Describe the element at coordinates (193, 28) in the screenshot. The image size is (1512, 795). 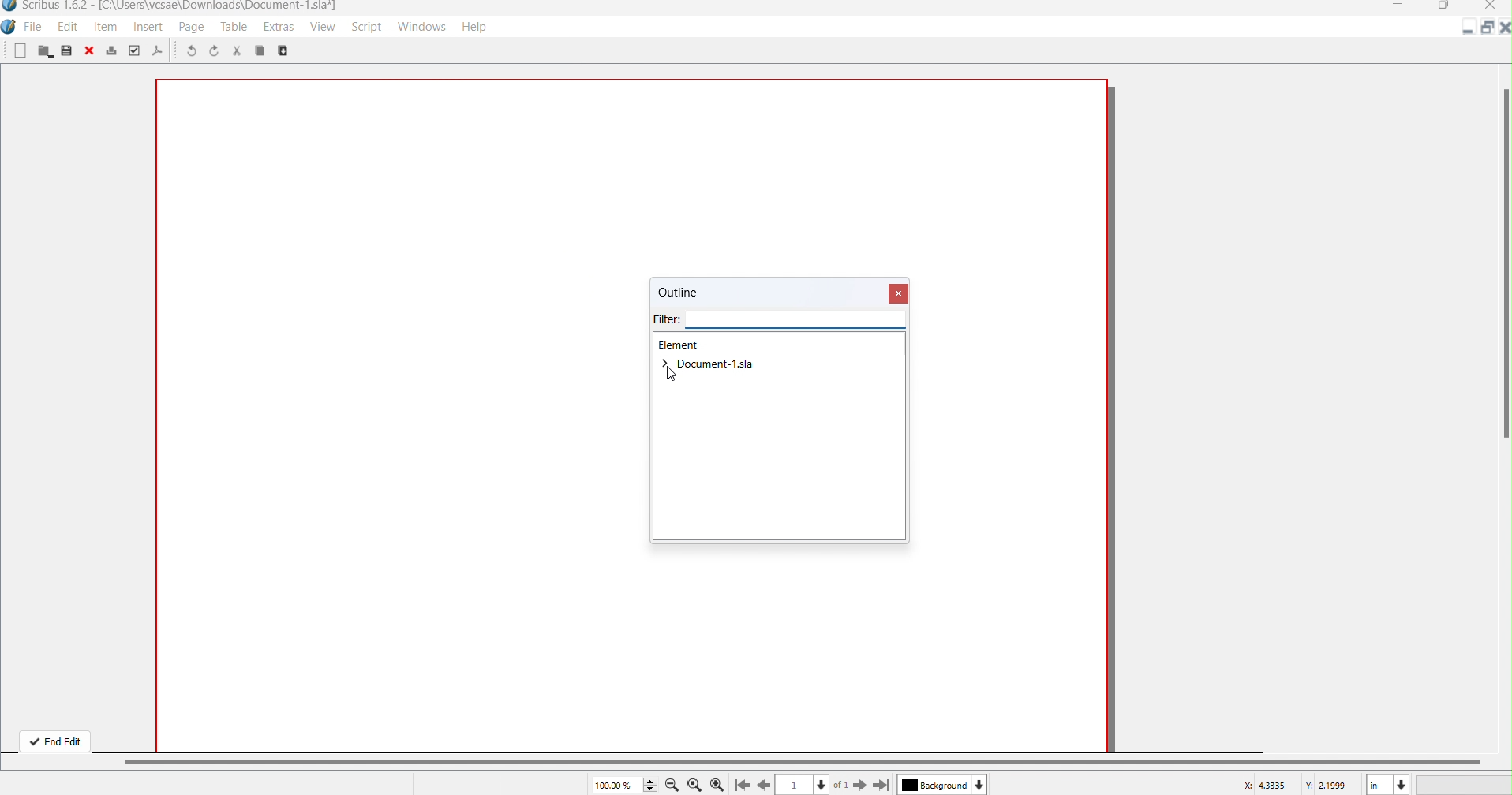
I see `` at that location.